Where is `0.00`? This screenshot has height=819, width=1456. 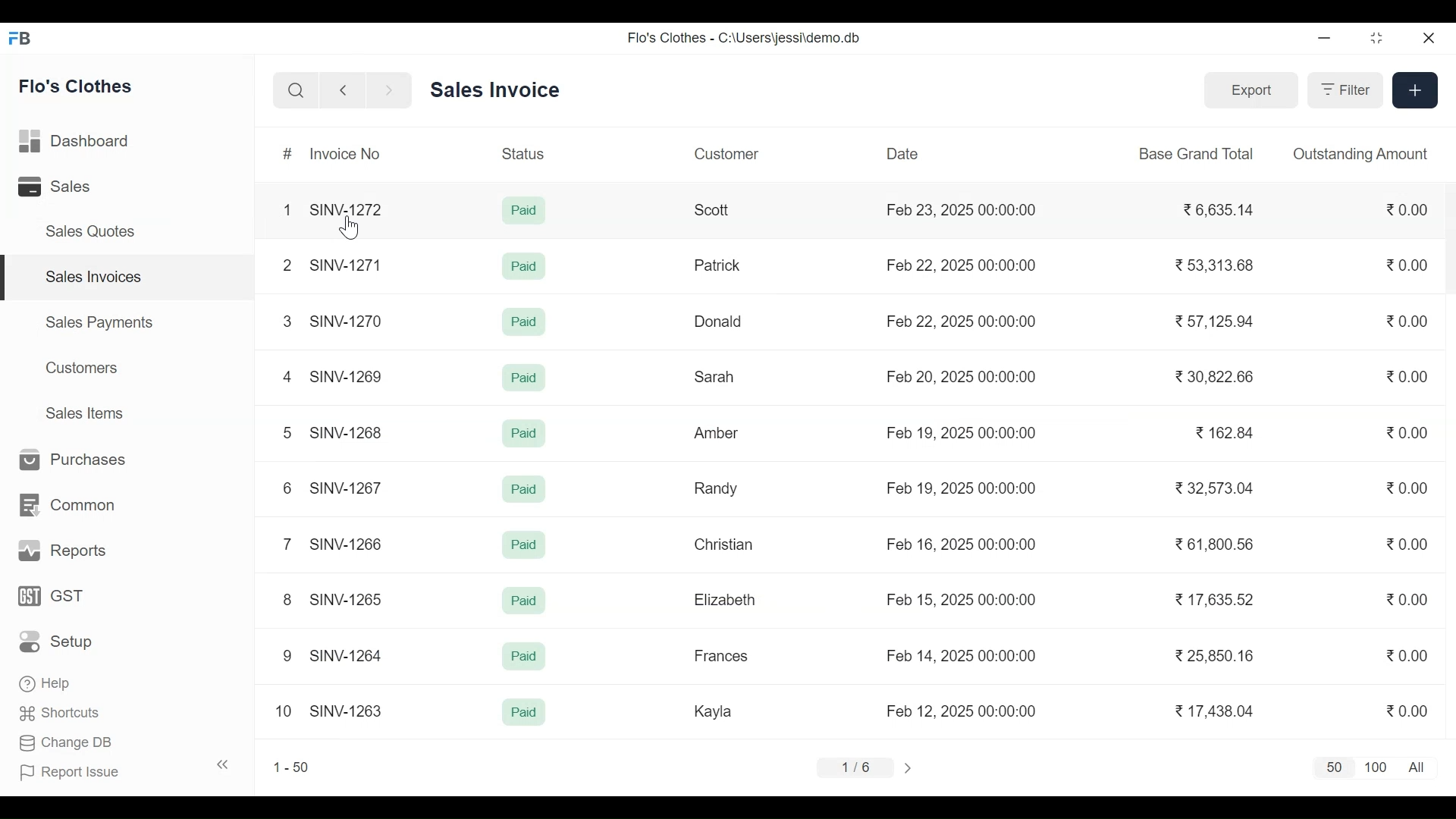 0.00 is located at coordinates (1409, 544).